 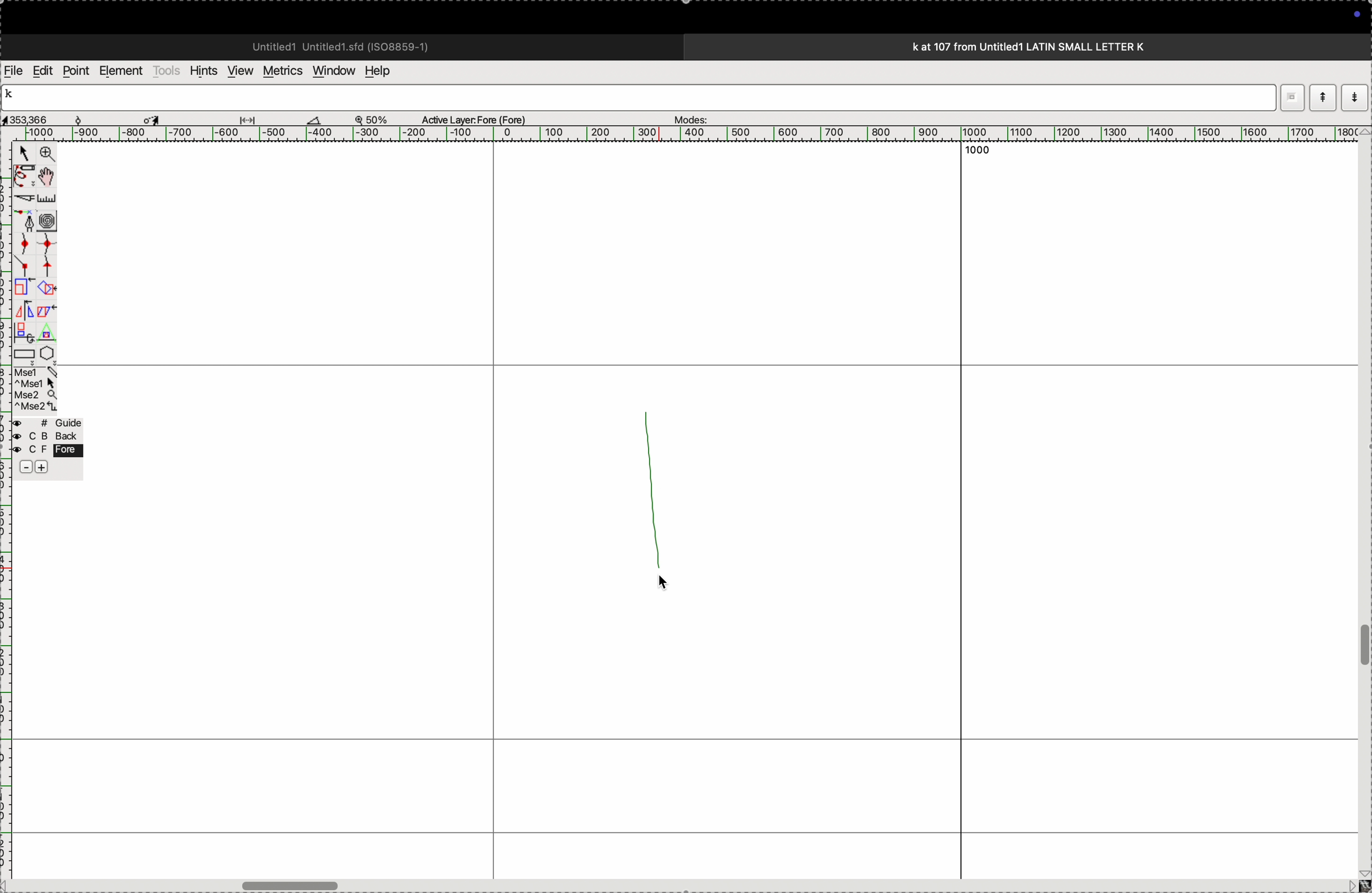 I want to click on view, so click(x=237, y=71).